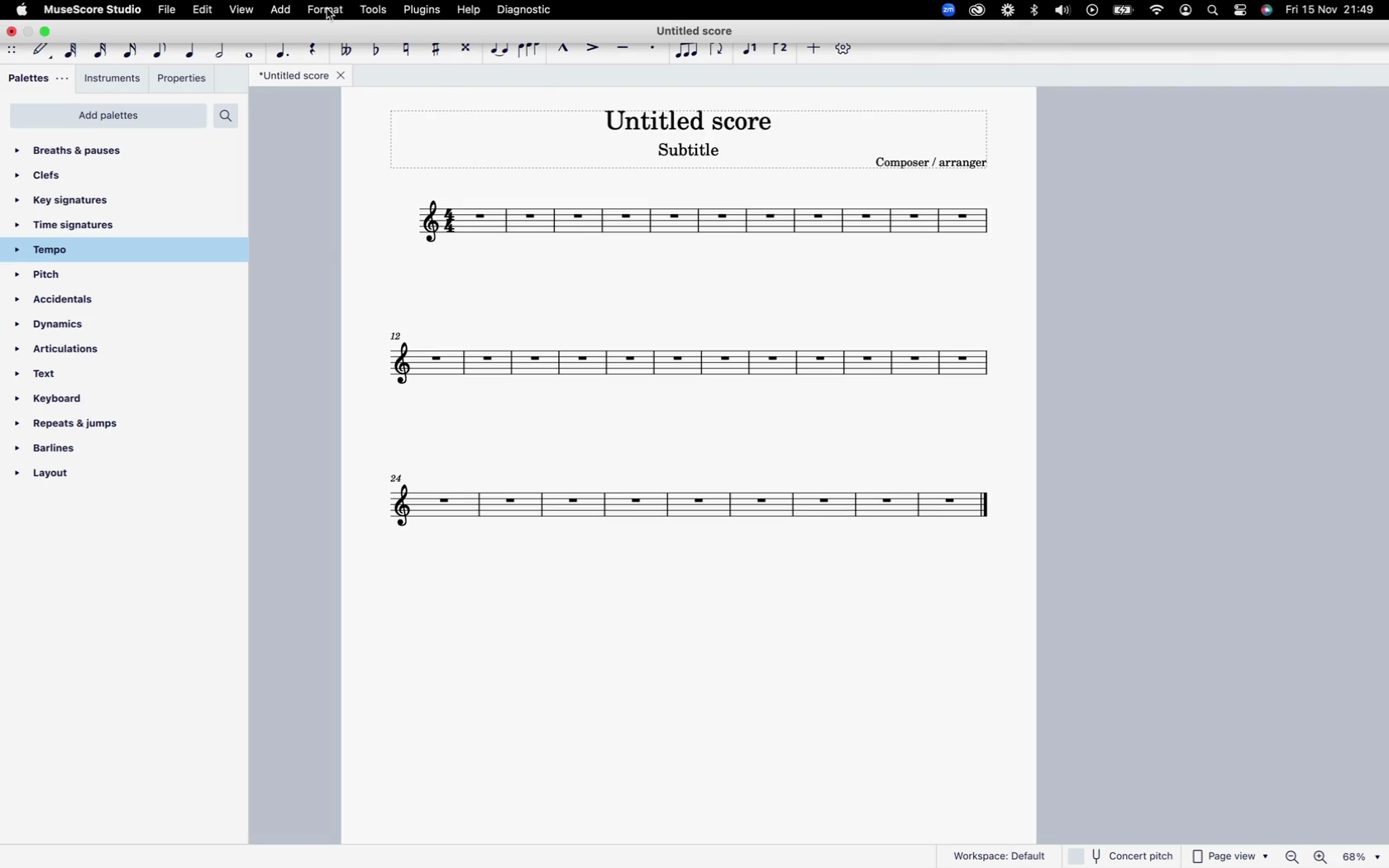 Image resolution: width=1389 pixels, height=868 pixels. What do you see at coordinates (29, 32) in the screenshot?
I see `minimize` at bounding box center [29, 32].